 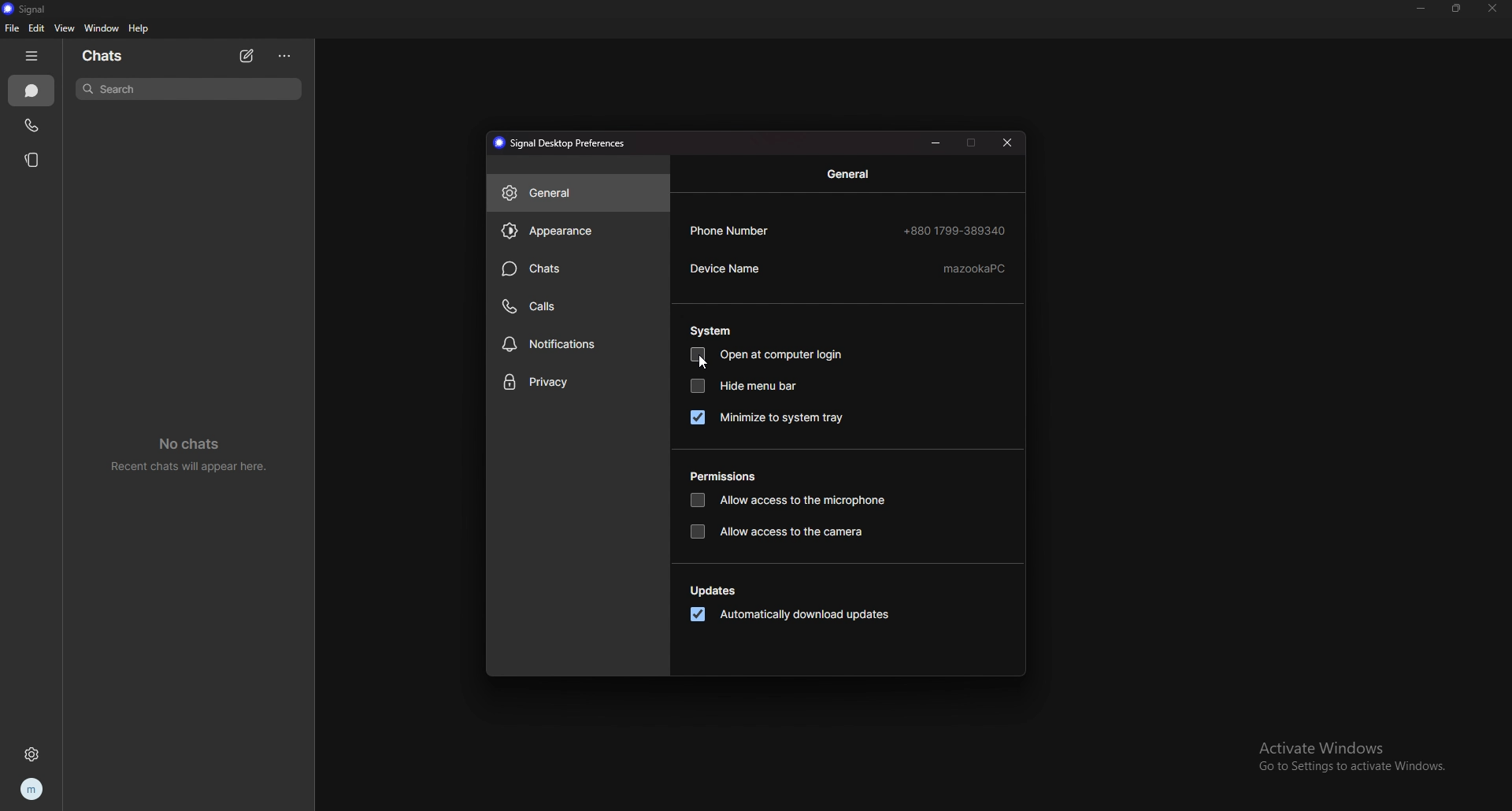 I want to click on call, so click(x=31, y=126).